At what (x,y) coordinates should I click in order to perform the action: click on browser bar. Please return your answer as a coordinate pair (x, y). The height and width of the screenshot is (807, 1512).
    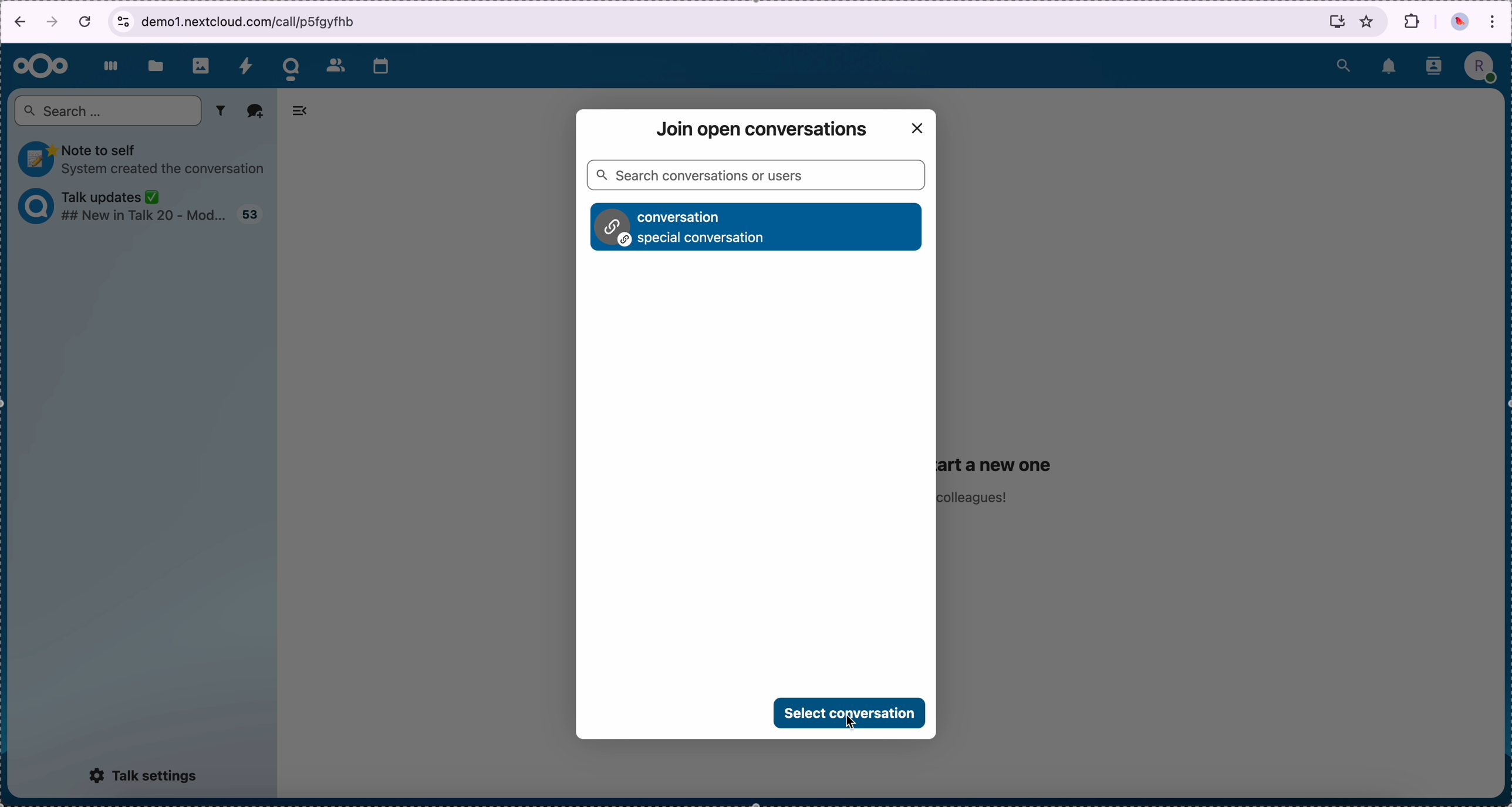
    Looking at the image, I should click on (752, 22).